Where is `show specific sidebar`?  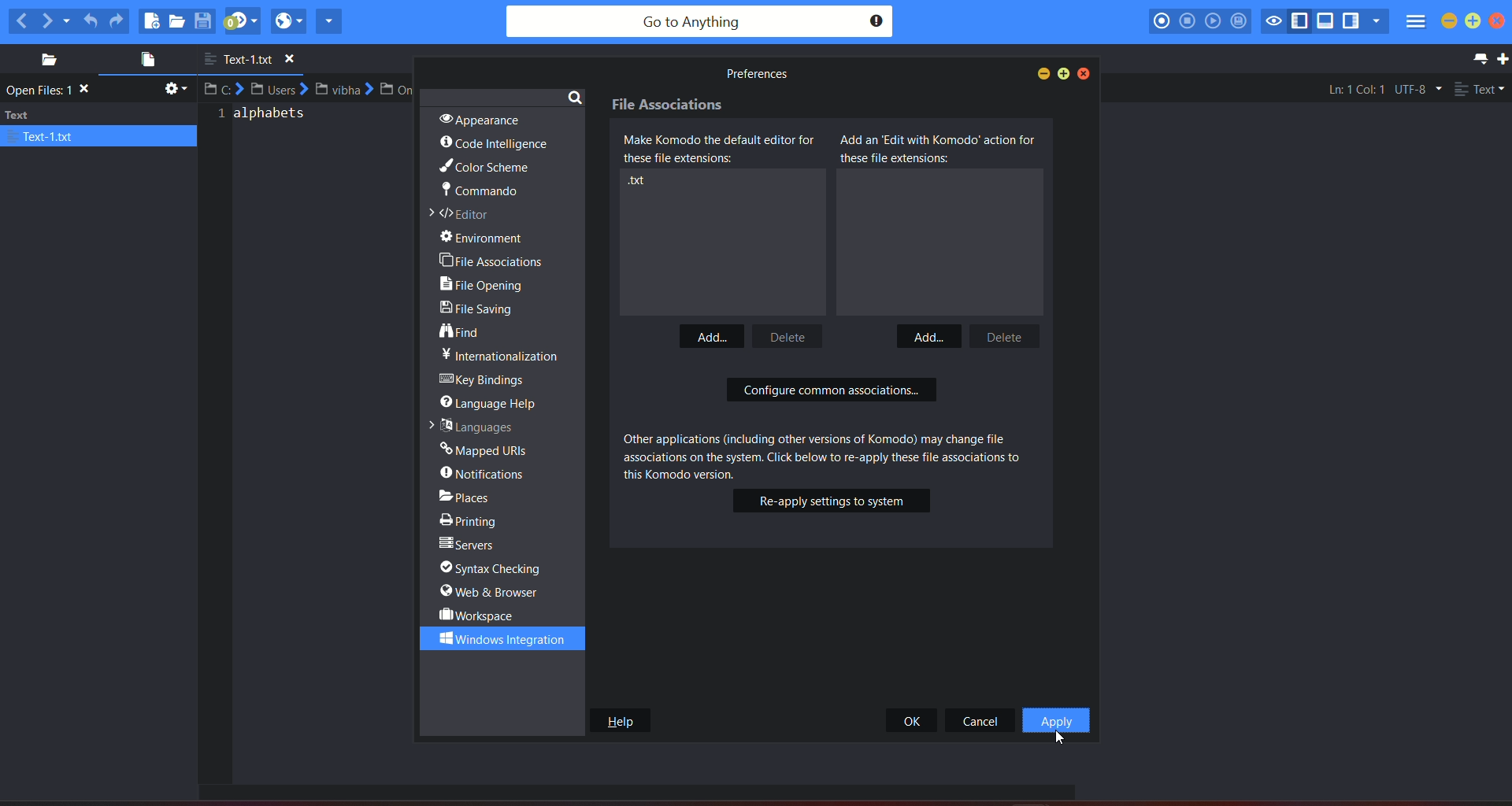 show specific sidebar is located at coordinates (1376, 21).